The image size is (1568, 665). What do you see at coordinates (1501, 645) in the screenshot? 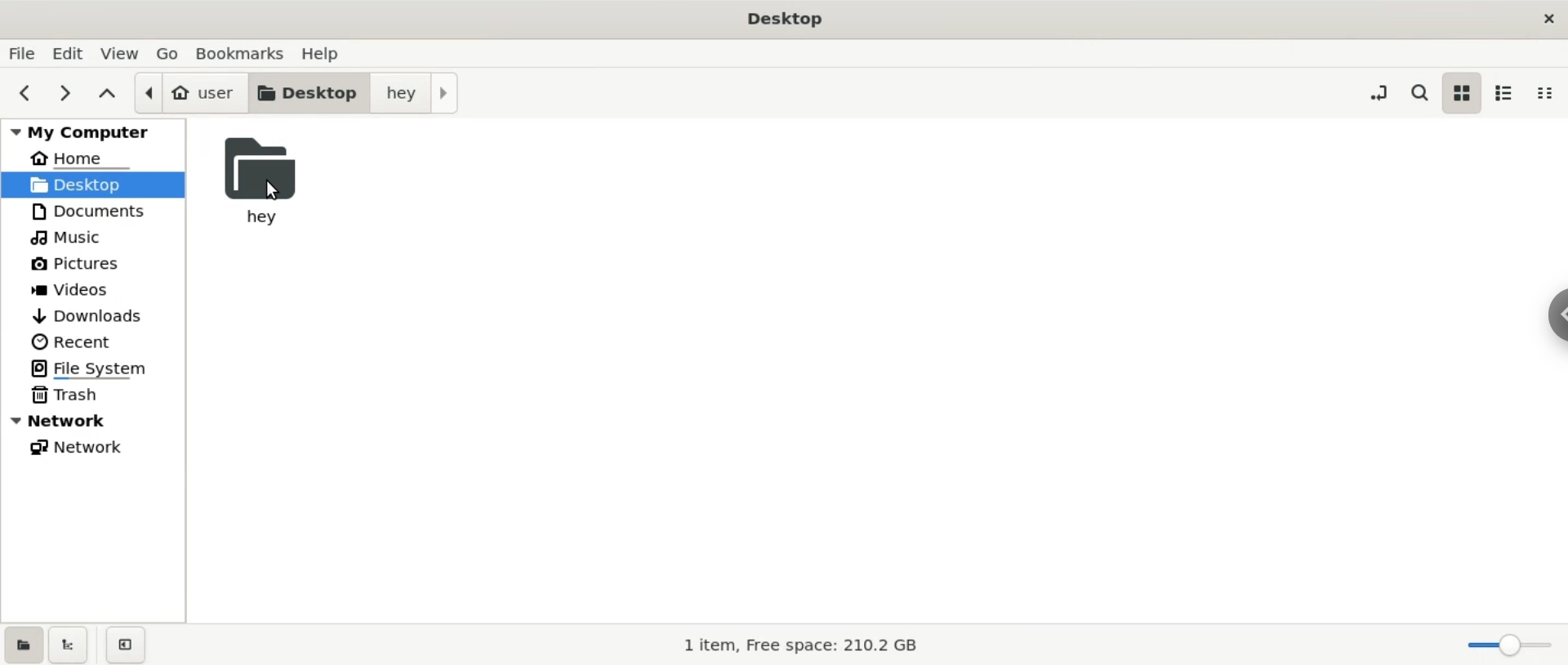
I see `zoom` at bounding box center [1501, 645].